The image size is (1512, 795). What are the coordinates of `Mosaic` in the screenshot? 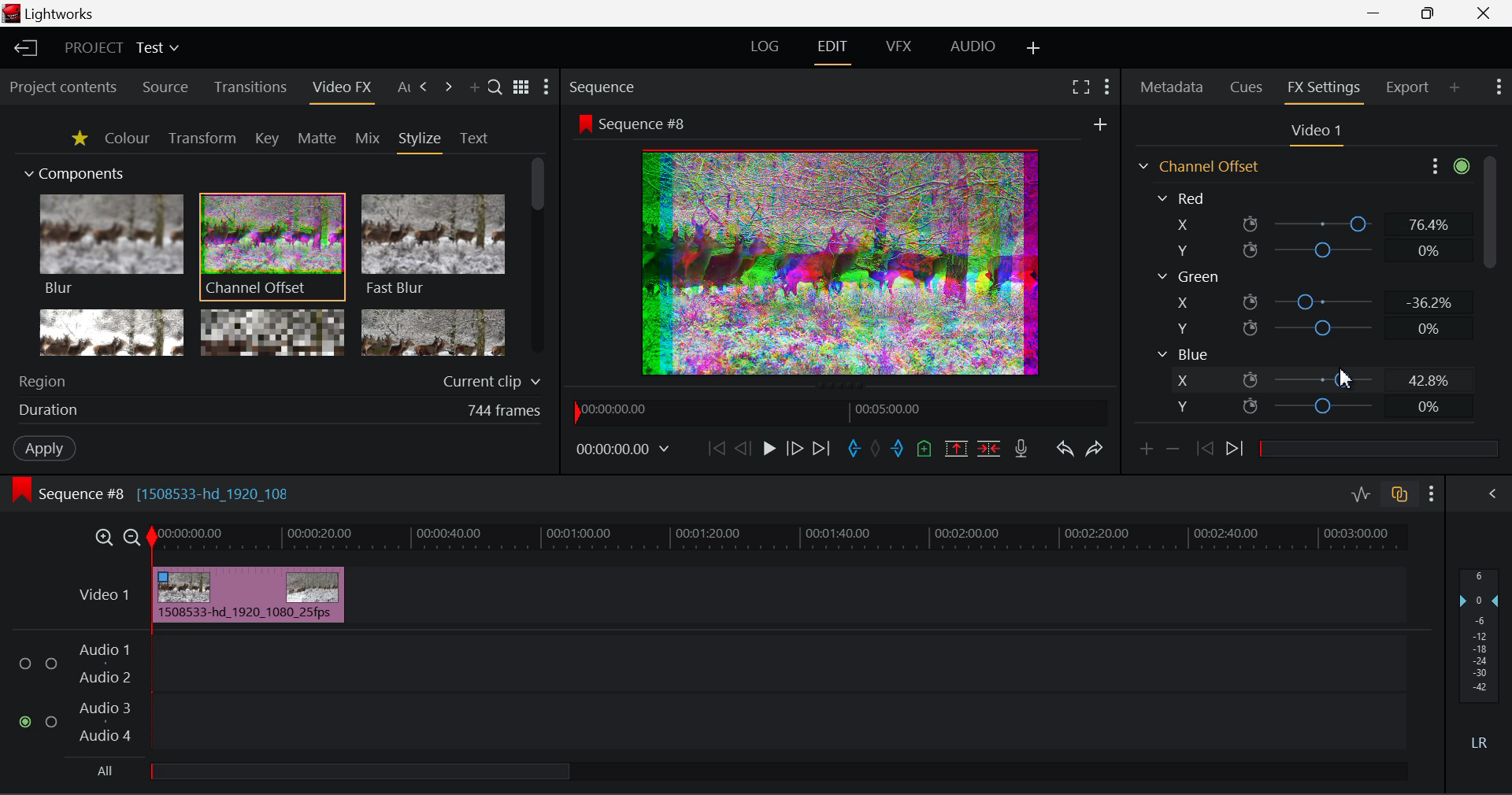 It's located at (272, 331).